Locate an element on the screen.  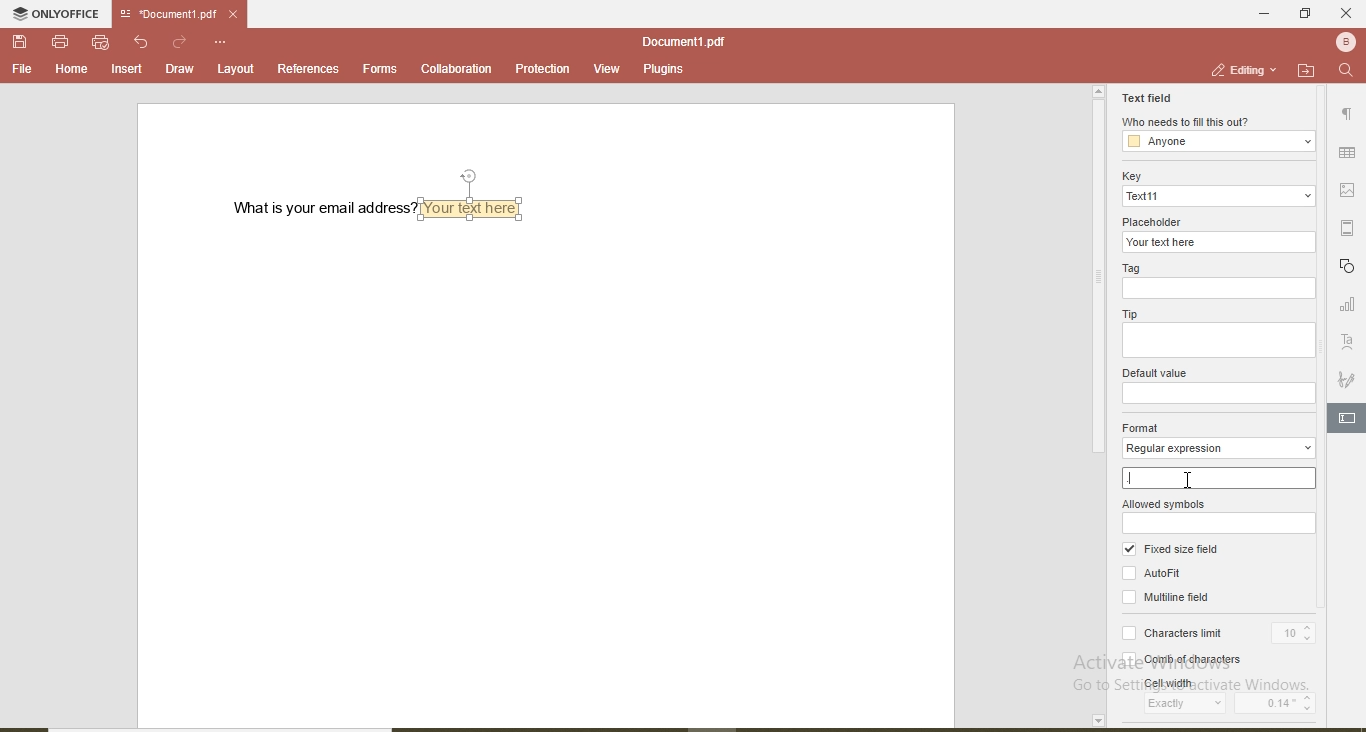
file name is located at coordinates (683, 41).